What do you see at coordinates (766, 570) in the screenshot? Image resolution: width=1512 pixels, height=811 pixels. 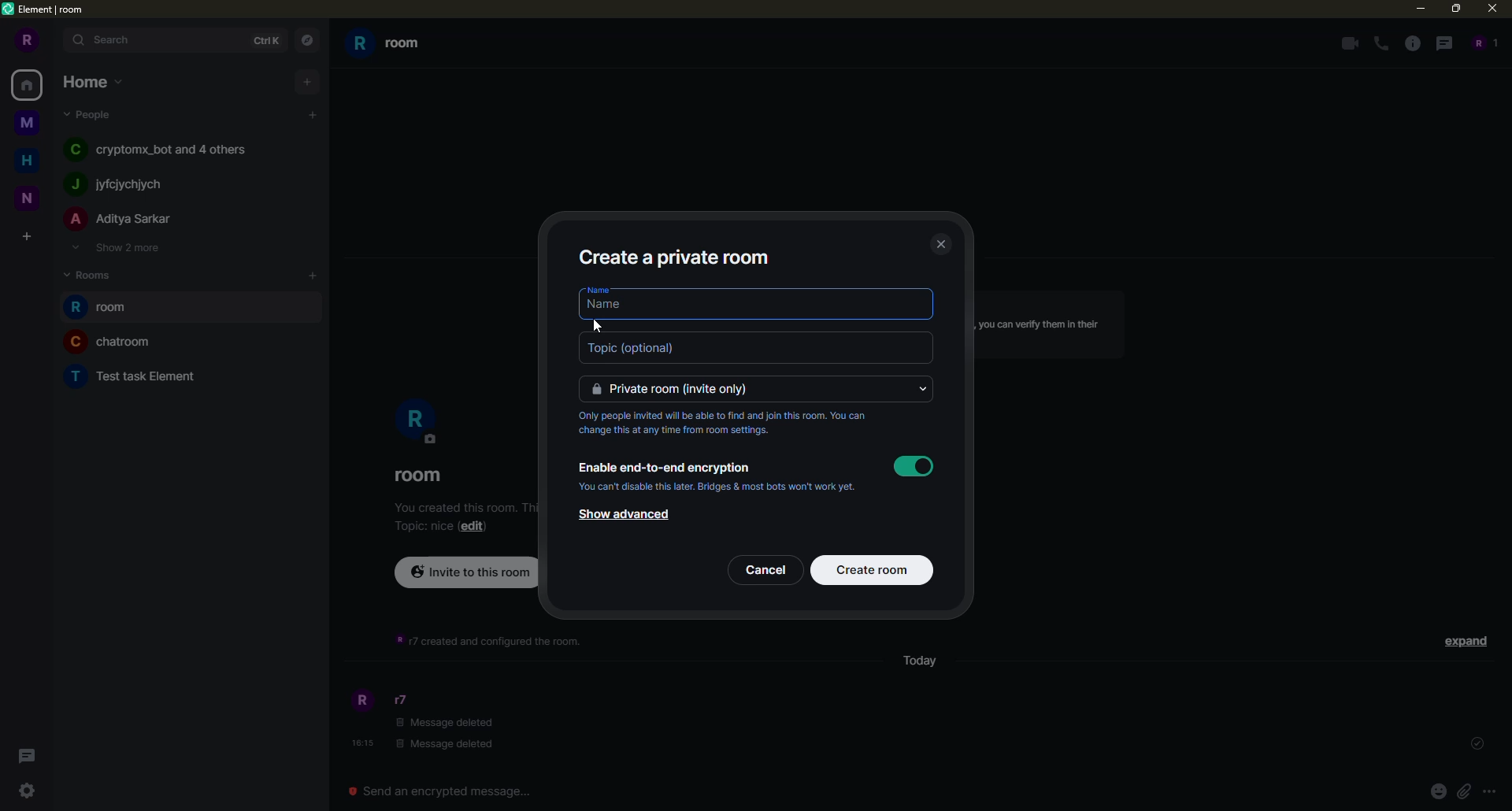 I see `cancel` at bounding box center [766, 570].